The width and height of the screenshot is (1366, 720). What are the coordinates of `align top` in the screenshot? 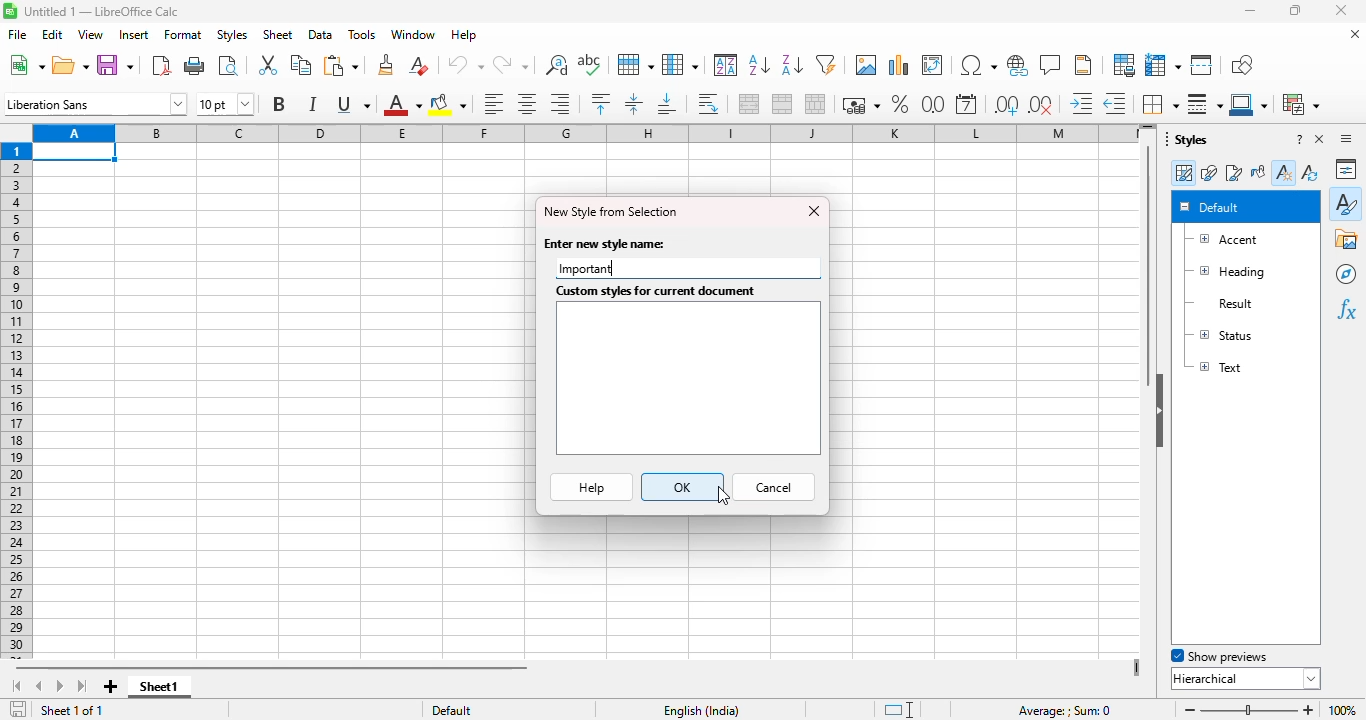 It's located at (600, 103).